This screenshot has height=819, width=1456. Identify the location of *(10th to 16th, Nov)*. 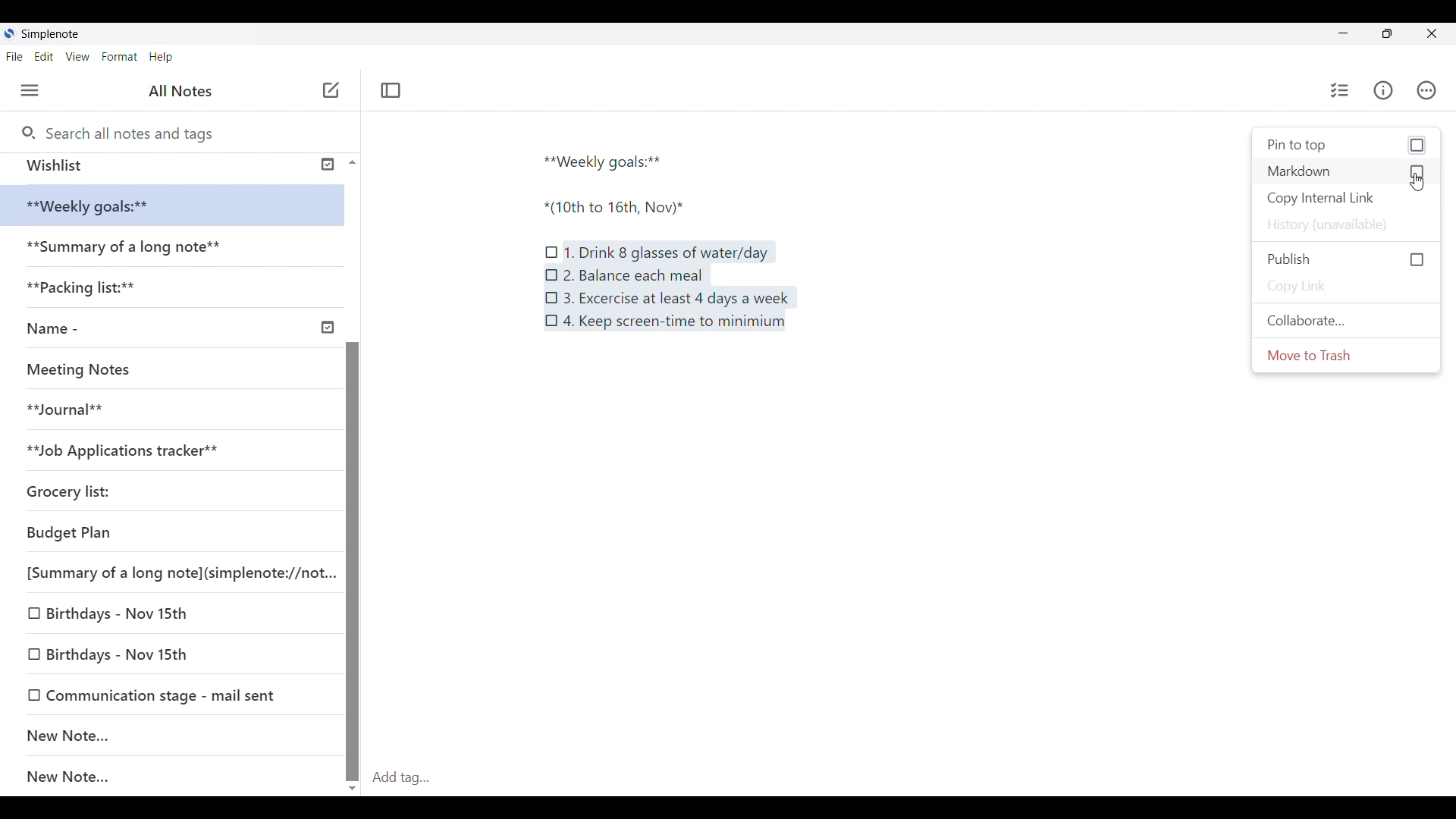
(624, 208).